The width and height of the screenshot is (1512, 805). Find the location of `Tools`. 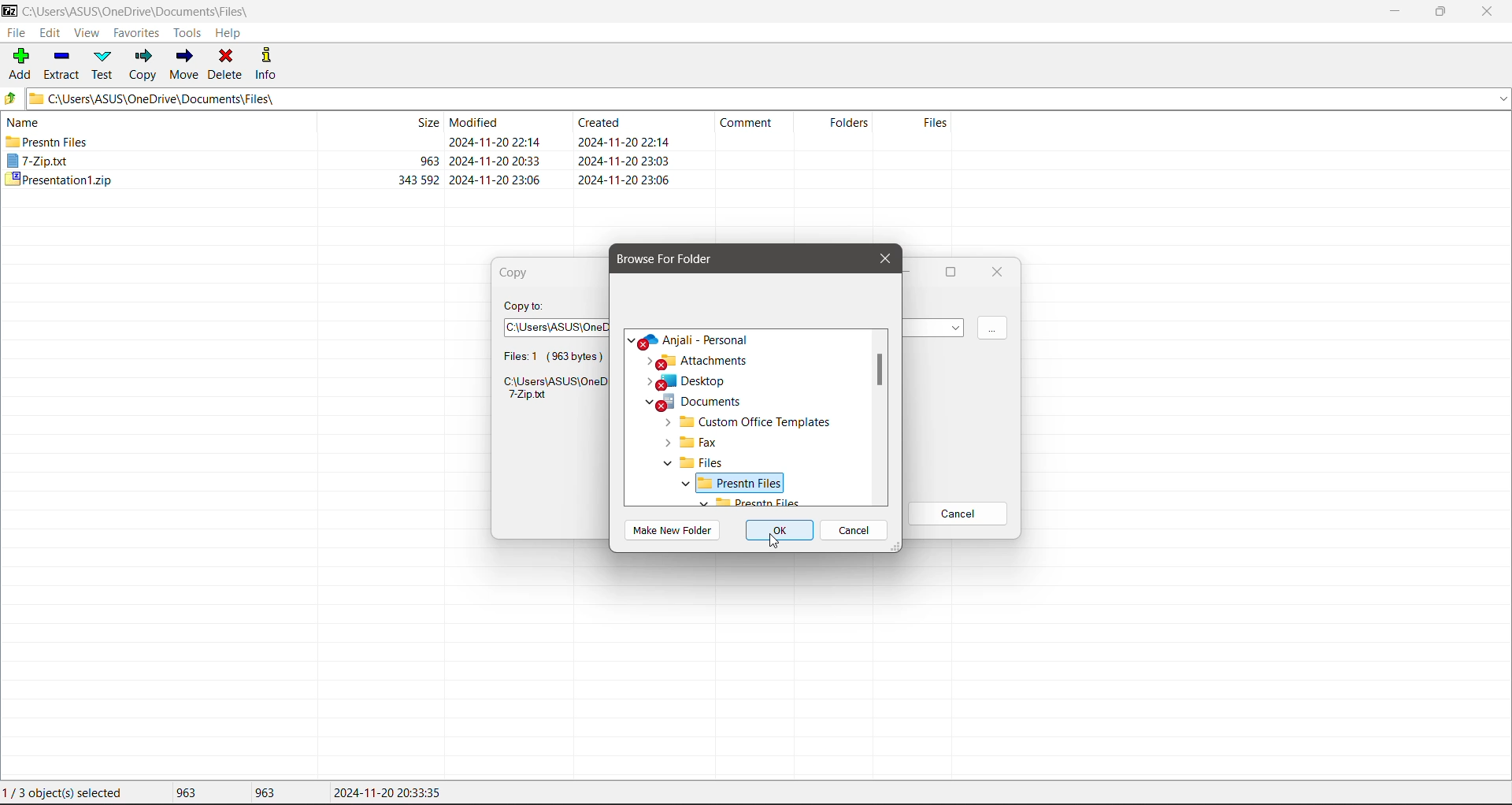

Tools is located at coordinates (186, 33).